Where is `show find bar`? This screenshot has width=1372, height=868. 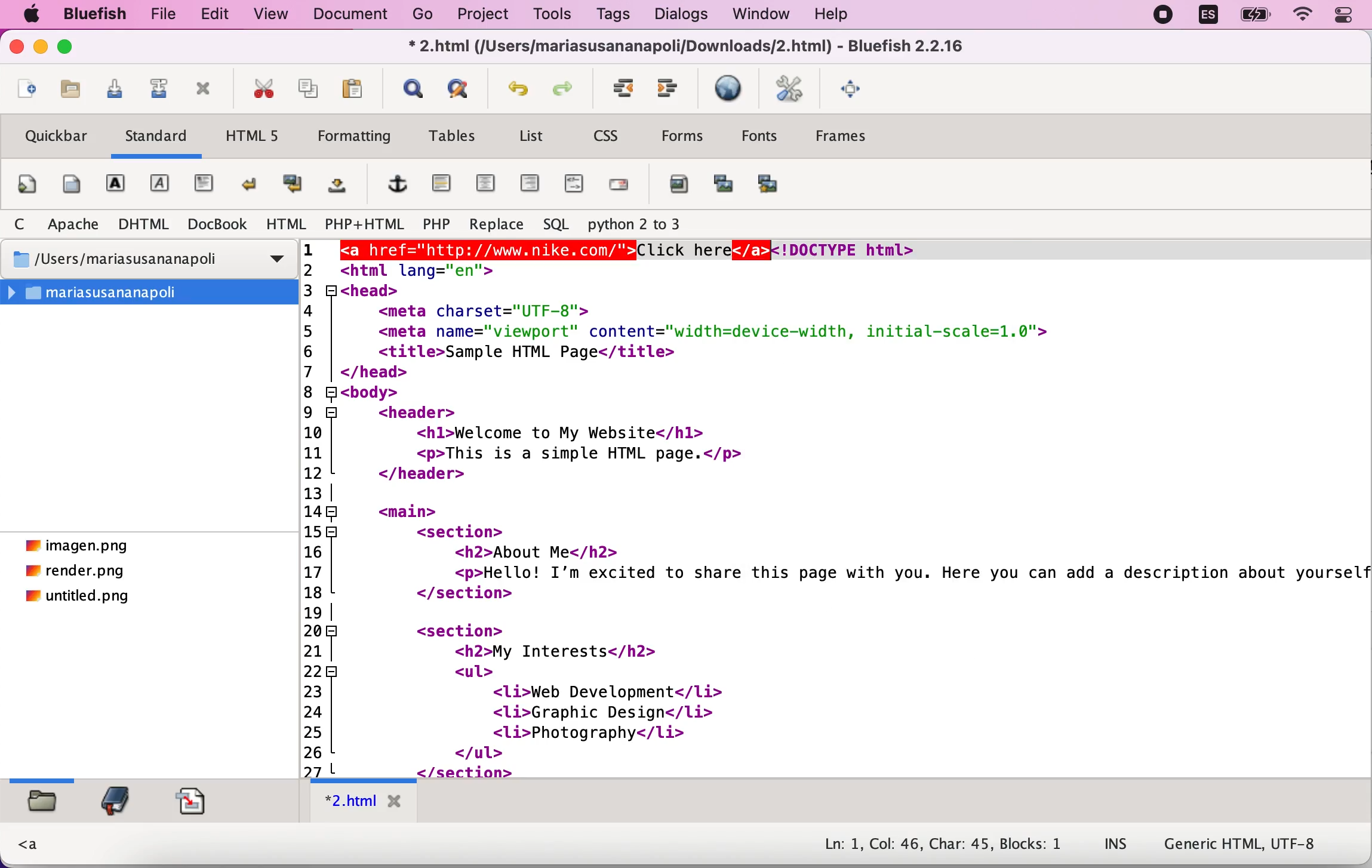
show find bar is located at coordinates (414, 90).